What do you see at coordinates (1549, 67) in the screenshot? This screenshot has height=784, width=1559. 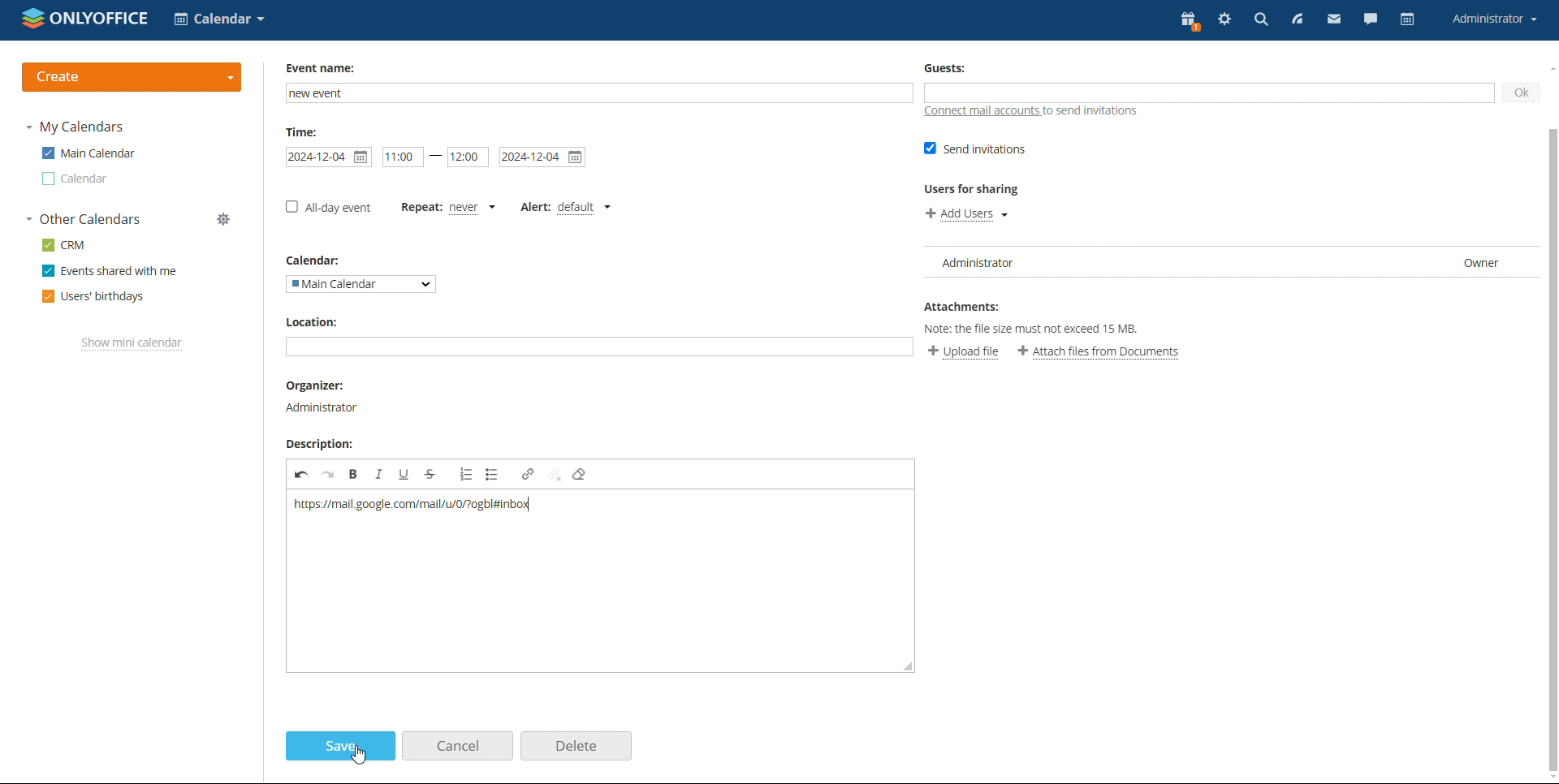 I see `scroll up` at bounding box center [1549, 67].